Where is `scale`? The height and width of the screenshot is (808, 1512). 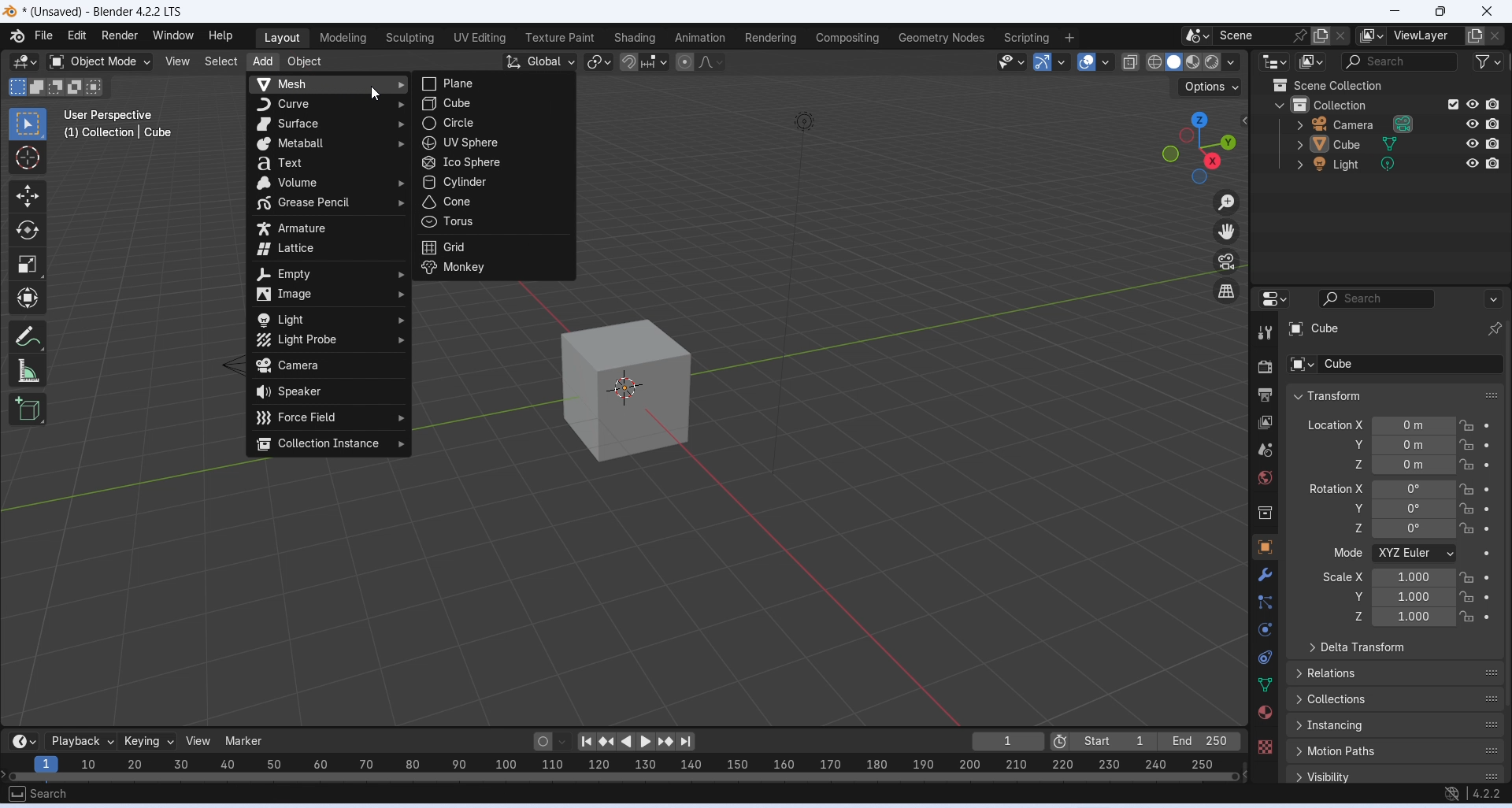 scale is located at coordinates (1414, 597).